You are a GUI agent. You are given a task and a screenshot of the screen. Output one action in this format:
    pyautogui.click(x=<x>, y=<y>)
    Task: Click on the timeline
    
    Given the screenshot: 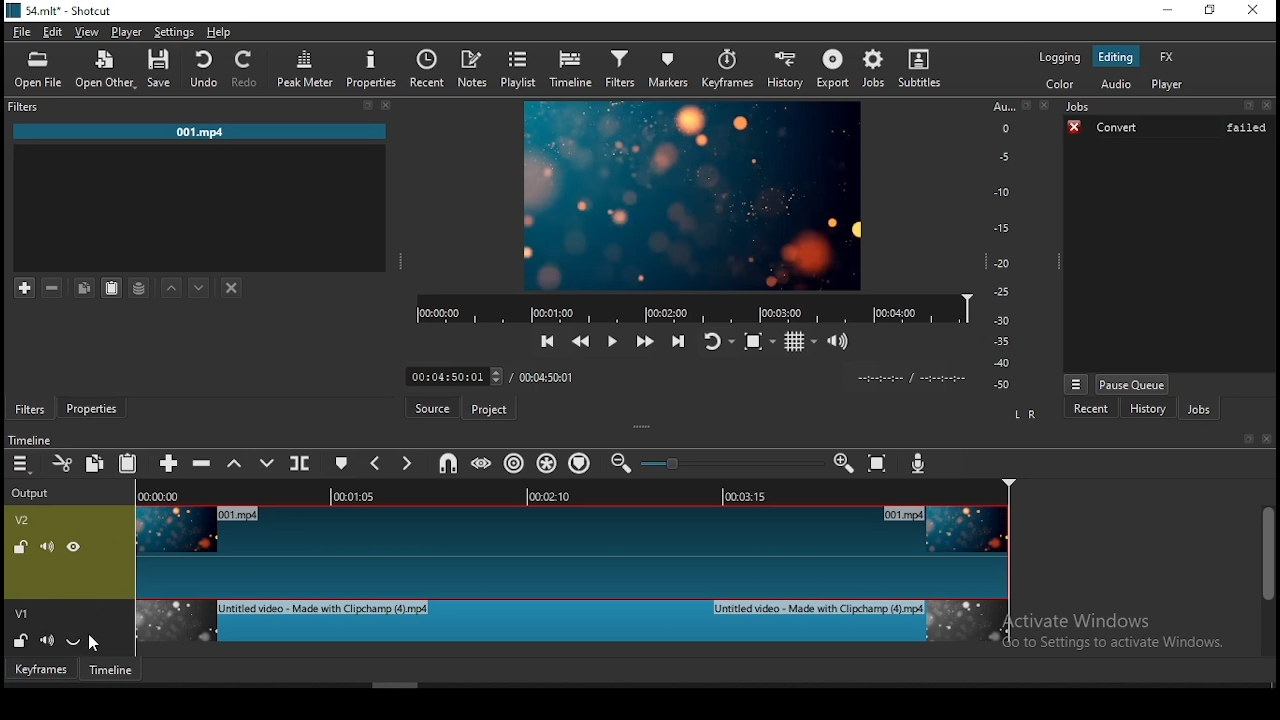 What is the action you would take?
    pyautogui.click(x=115, y=671)
    